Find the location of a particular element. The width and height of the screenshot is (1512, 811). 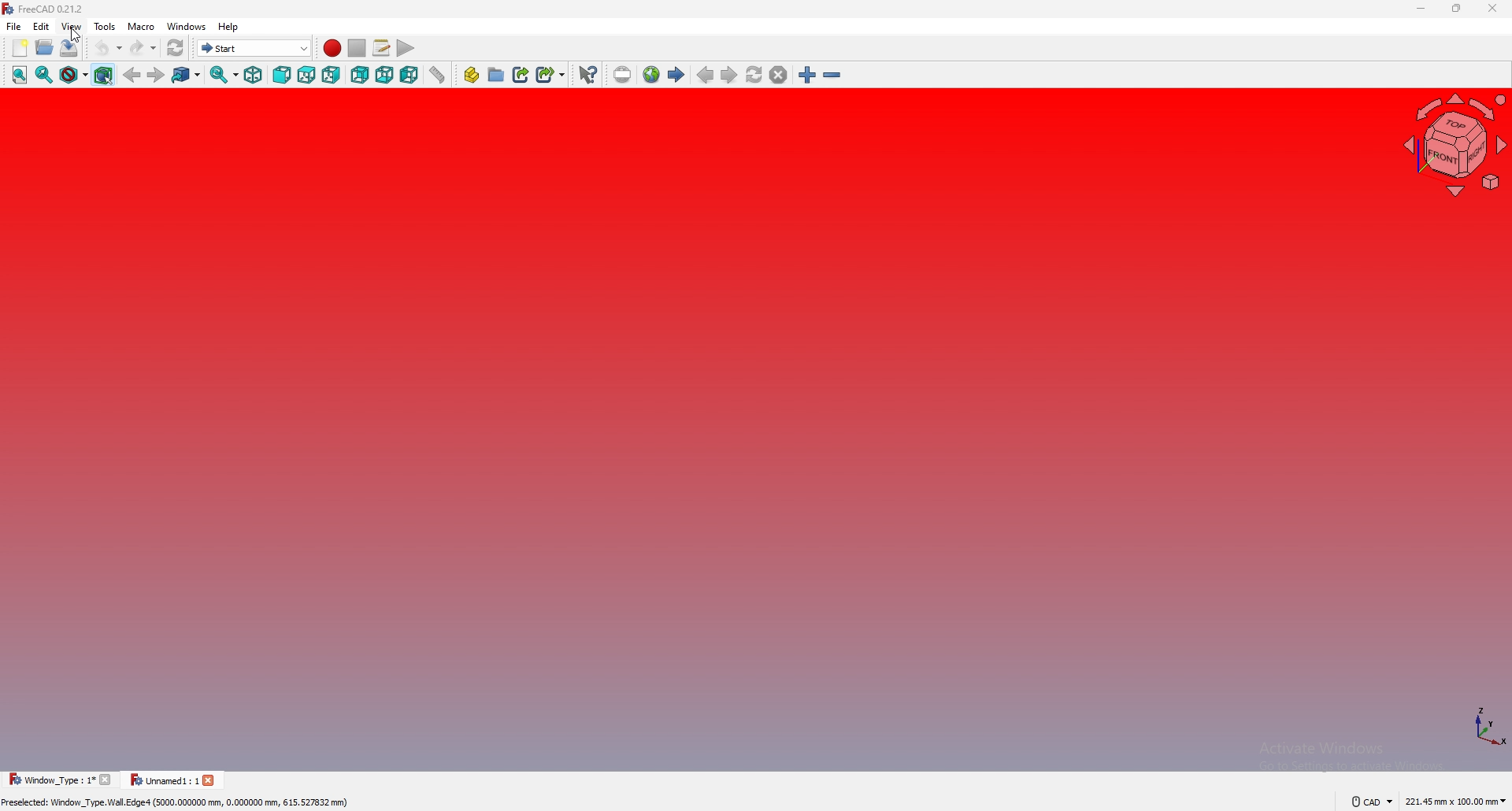

tools is located at coordinates (105, 25).